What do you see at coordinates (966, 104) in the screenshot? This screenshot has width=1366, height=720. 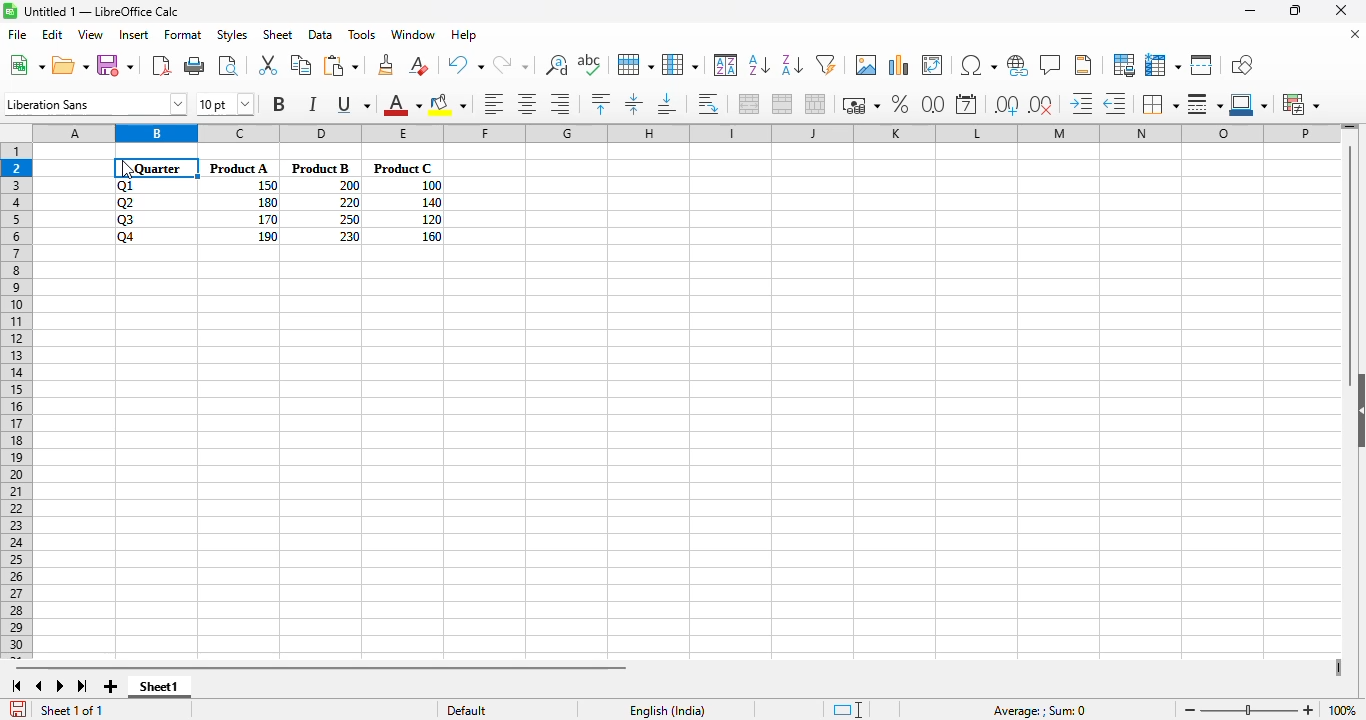 I see `format as date` at bounding box center [966, 104].